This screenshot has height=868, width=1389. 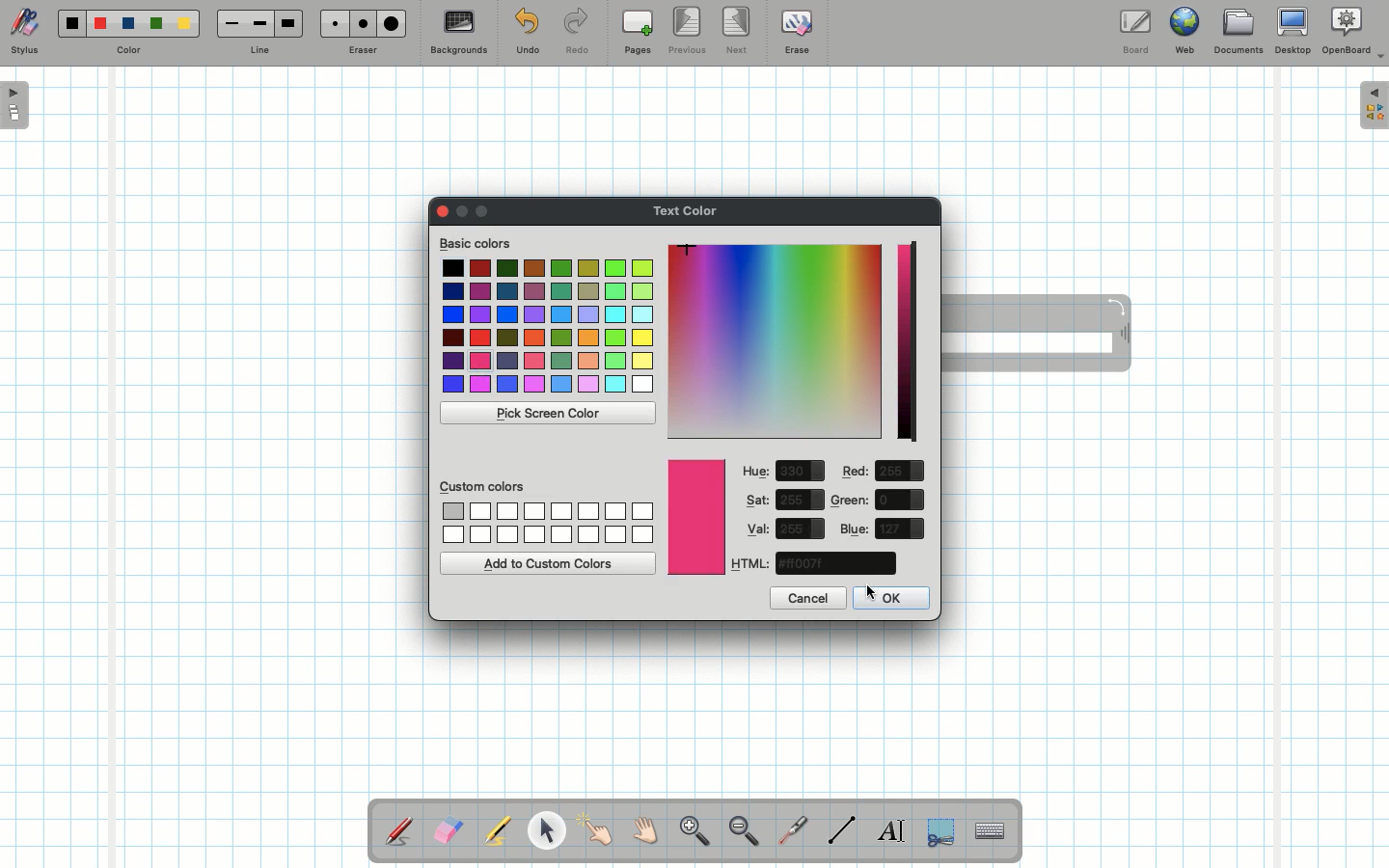 I want to click on Color picked, so click(x=695, y=517).